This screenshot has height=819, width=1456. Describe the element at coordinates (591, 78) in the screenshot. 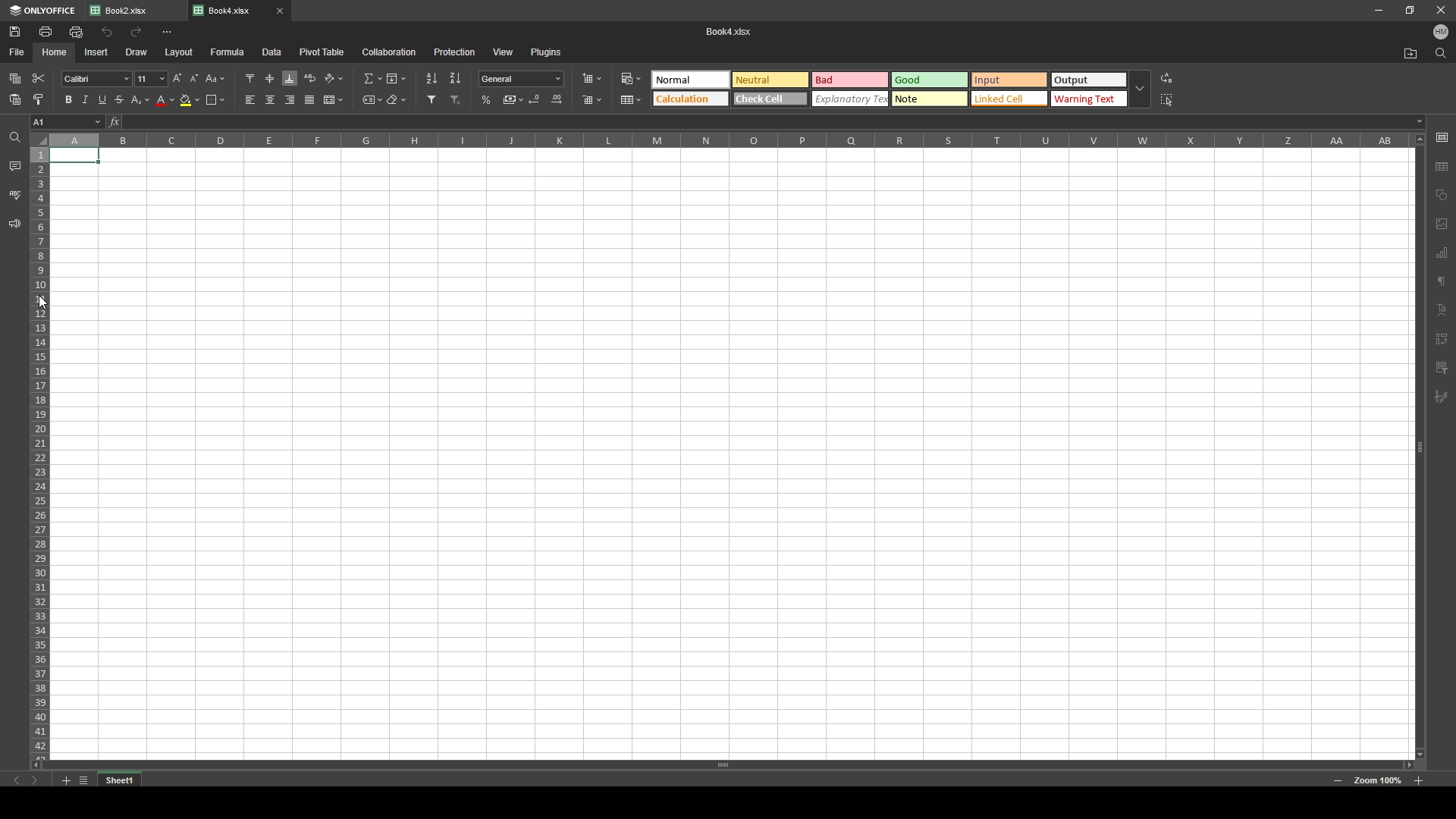

I see `insert cells` at that location.